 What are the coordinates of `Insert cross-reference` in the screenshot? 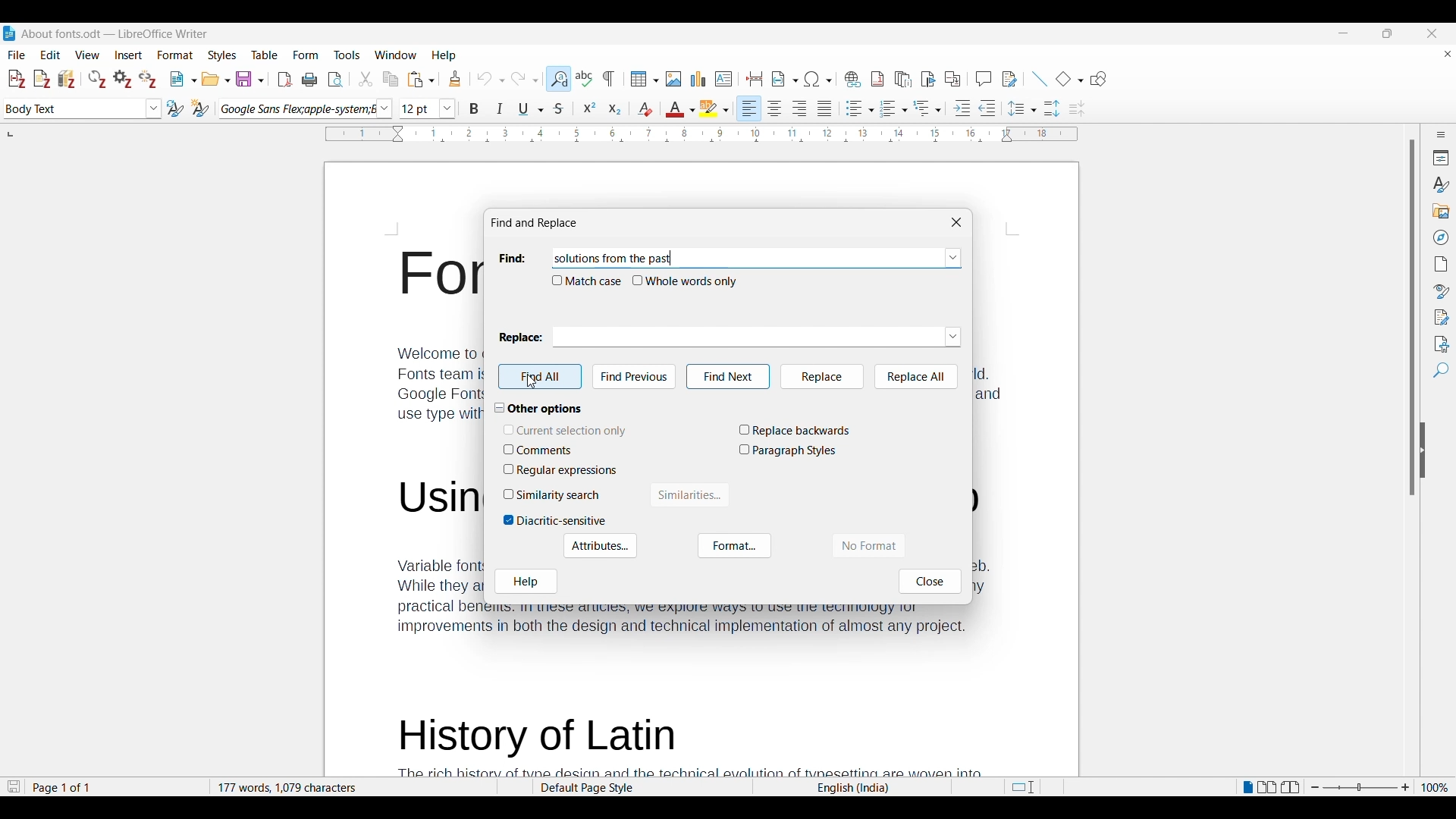 It's located at (952, 78).